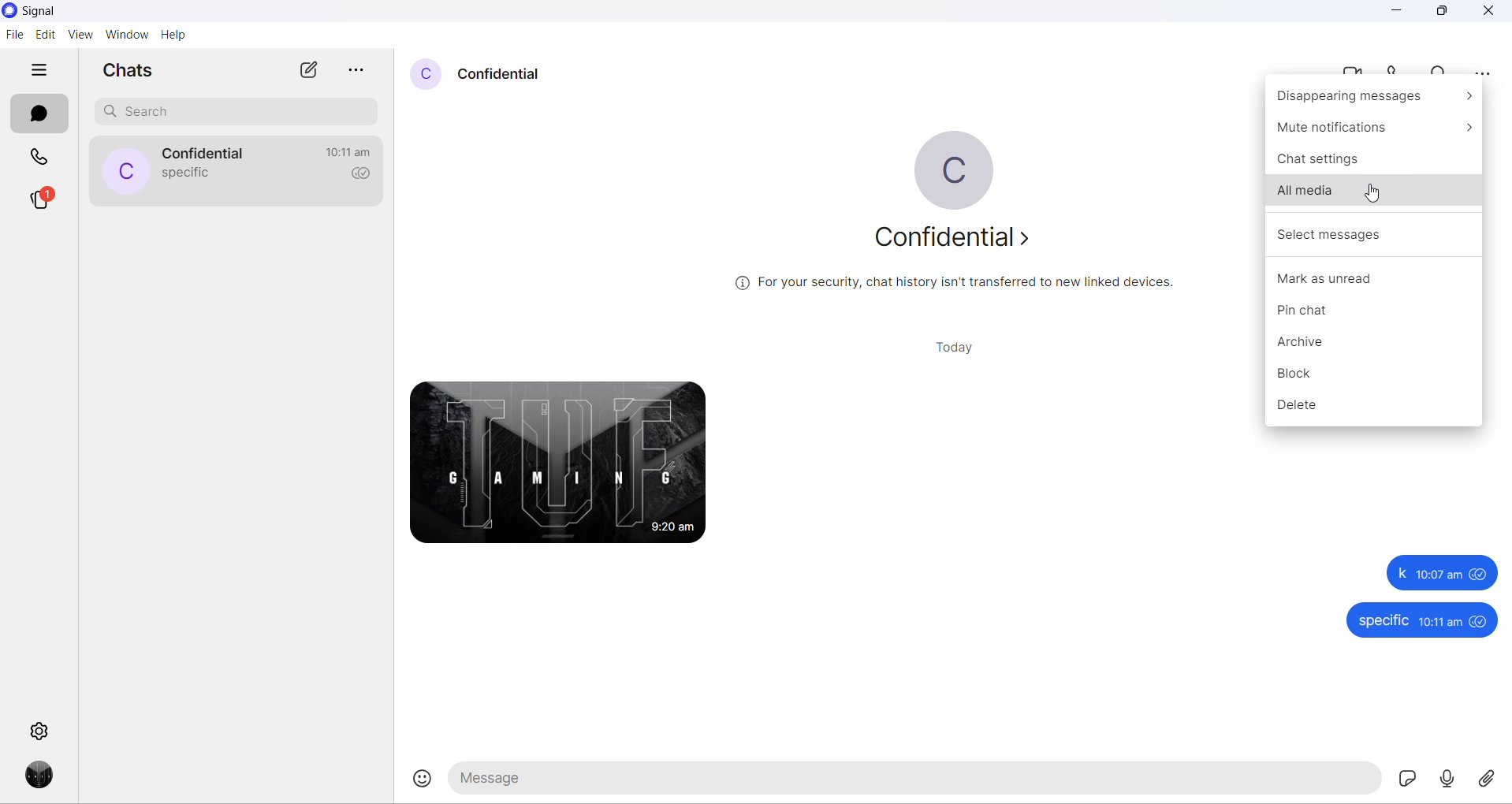 This screenshot has width=1512, height=804. Describe the element at coordinates (1373, 281) in the screenshot. I see `mark as unread` at that location.